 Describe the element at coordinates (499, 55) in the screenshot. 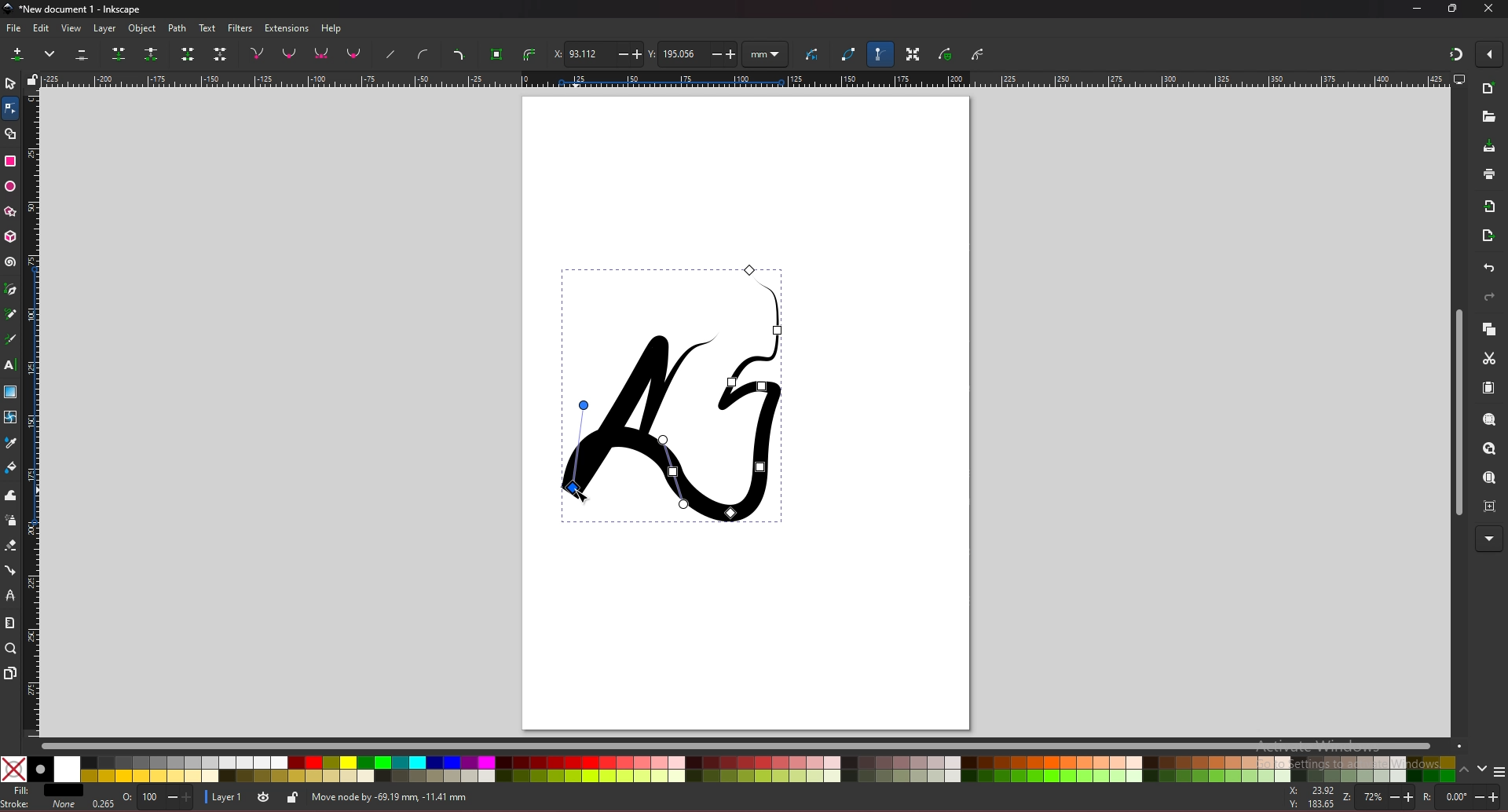

I see `object to path` at that location.